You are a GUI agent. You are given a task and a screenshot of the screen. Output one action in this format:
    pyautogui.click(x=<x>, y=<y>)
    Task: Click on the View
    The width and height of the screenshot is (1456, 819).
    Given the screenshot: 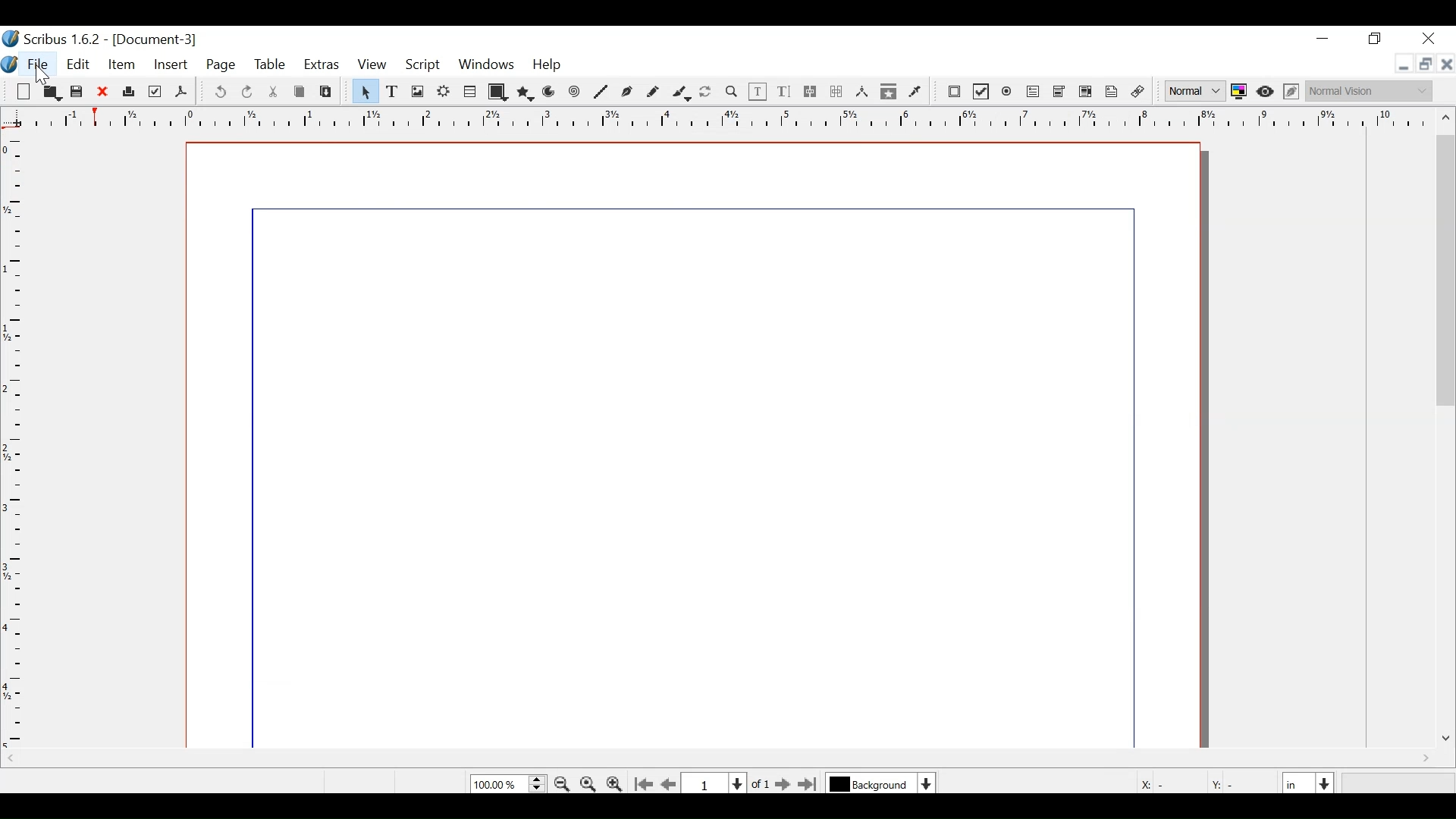 What is the action you would take?
    pyautogui.click(x=372, y=65)
    